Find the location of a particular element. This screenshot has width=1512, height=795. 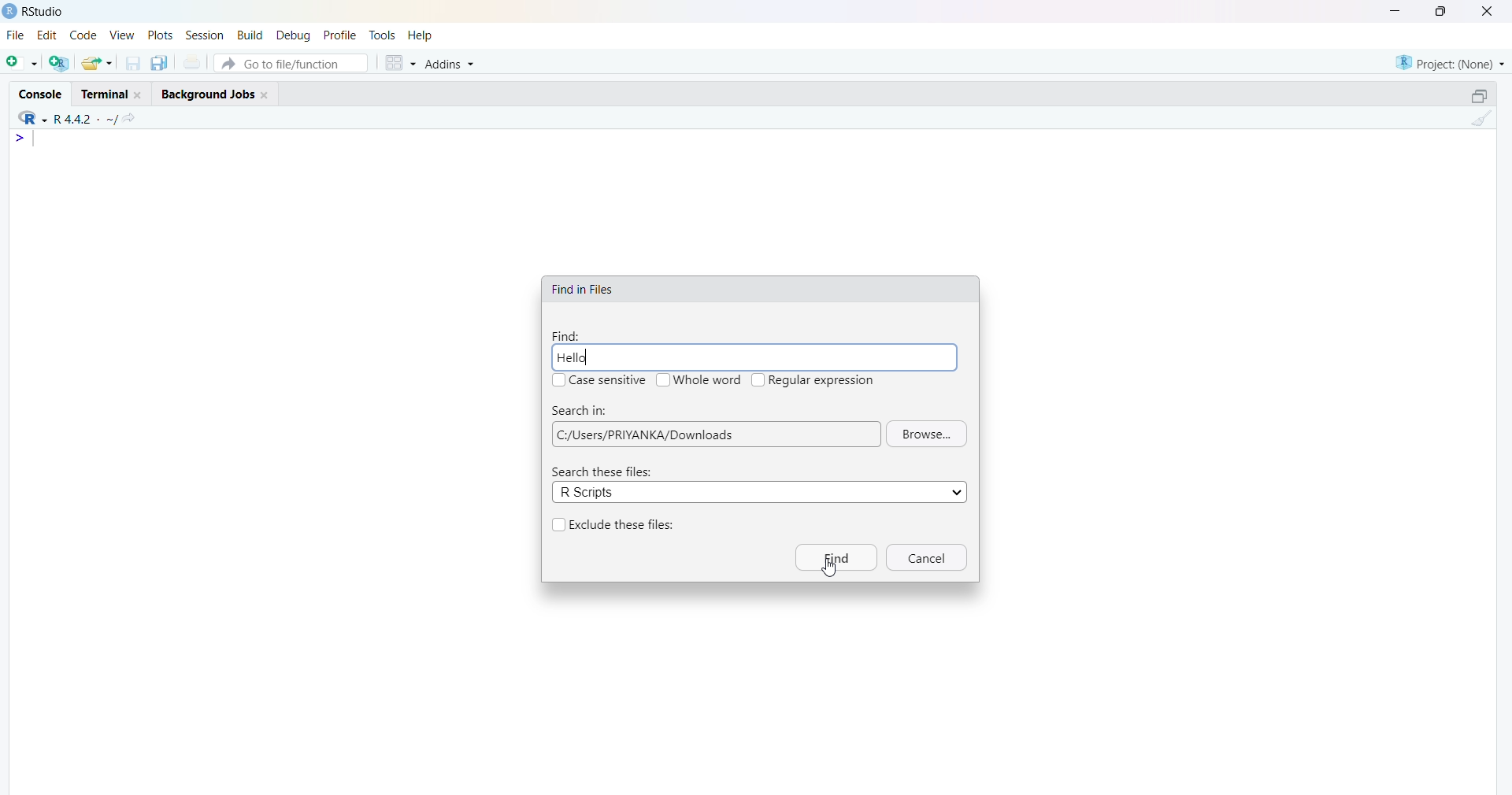

Browse is located at coordinates (926, 433).